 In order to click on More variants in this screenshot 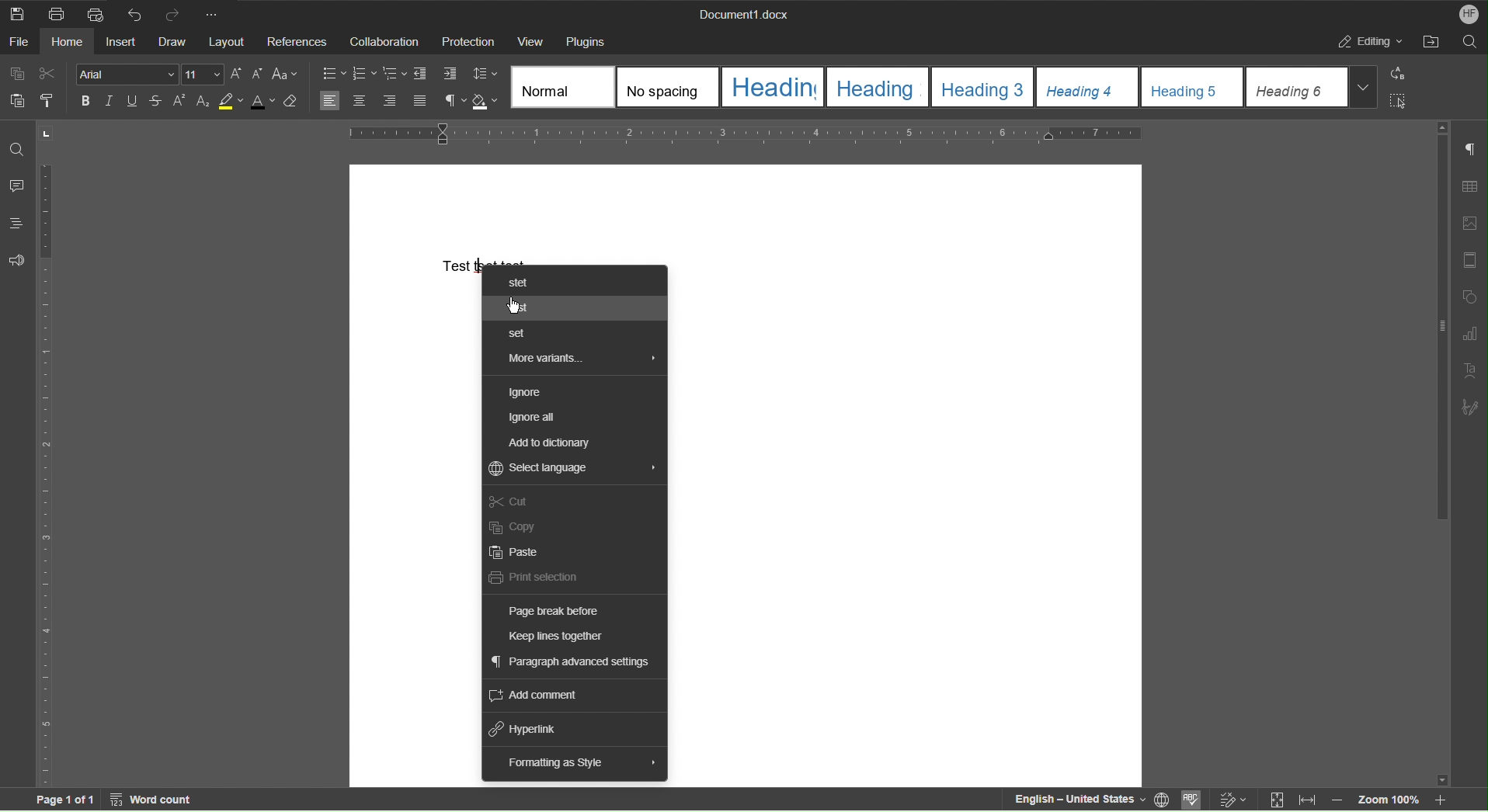, I will do `click(537, 359)`.